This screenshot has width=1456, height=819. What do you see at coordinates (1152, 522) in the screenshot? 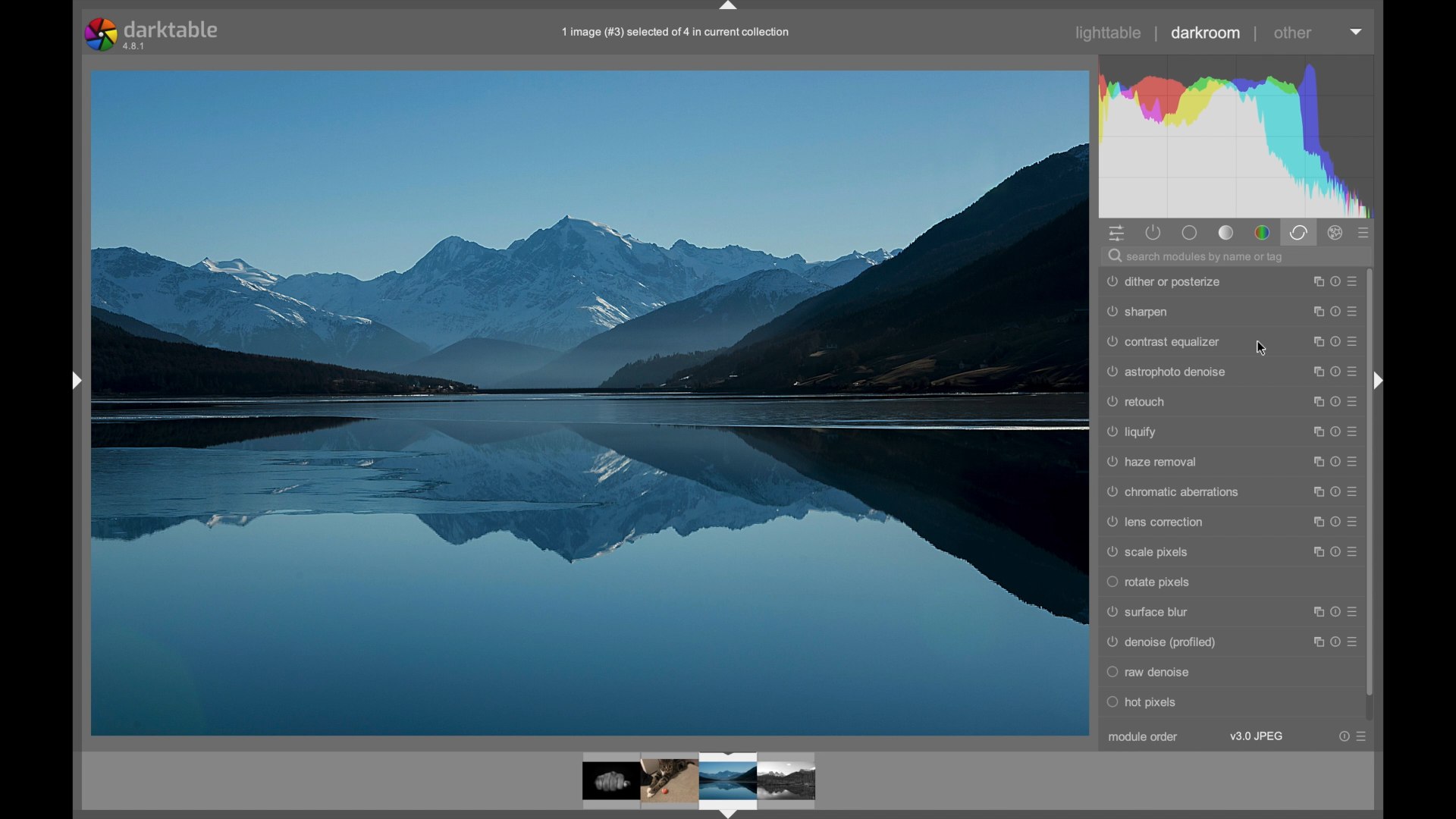
I see `lens correction` at bounding box center [1152, 522].